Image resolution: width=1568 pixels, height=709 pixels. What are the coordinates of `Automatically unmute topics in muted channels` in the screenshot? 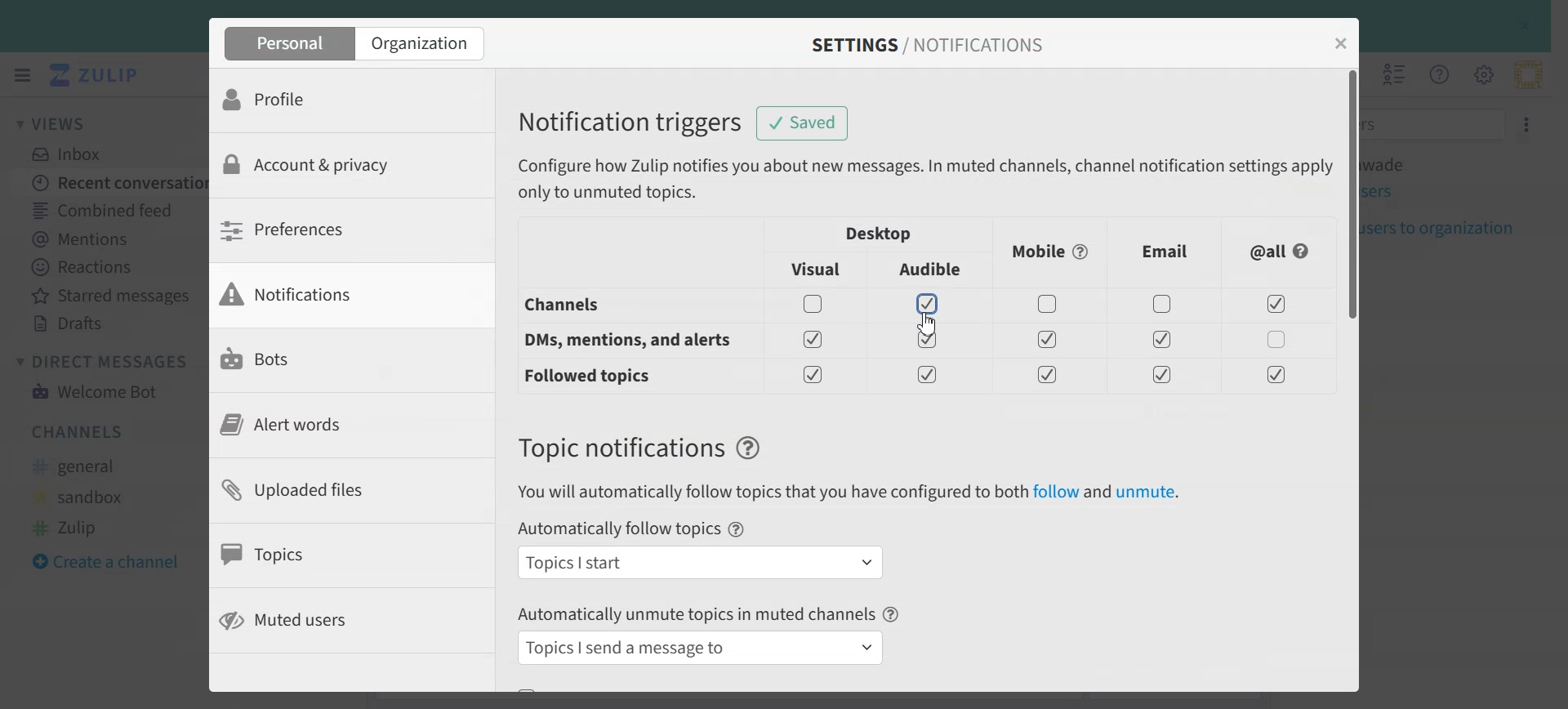 It's located at (696, 613).